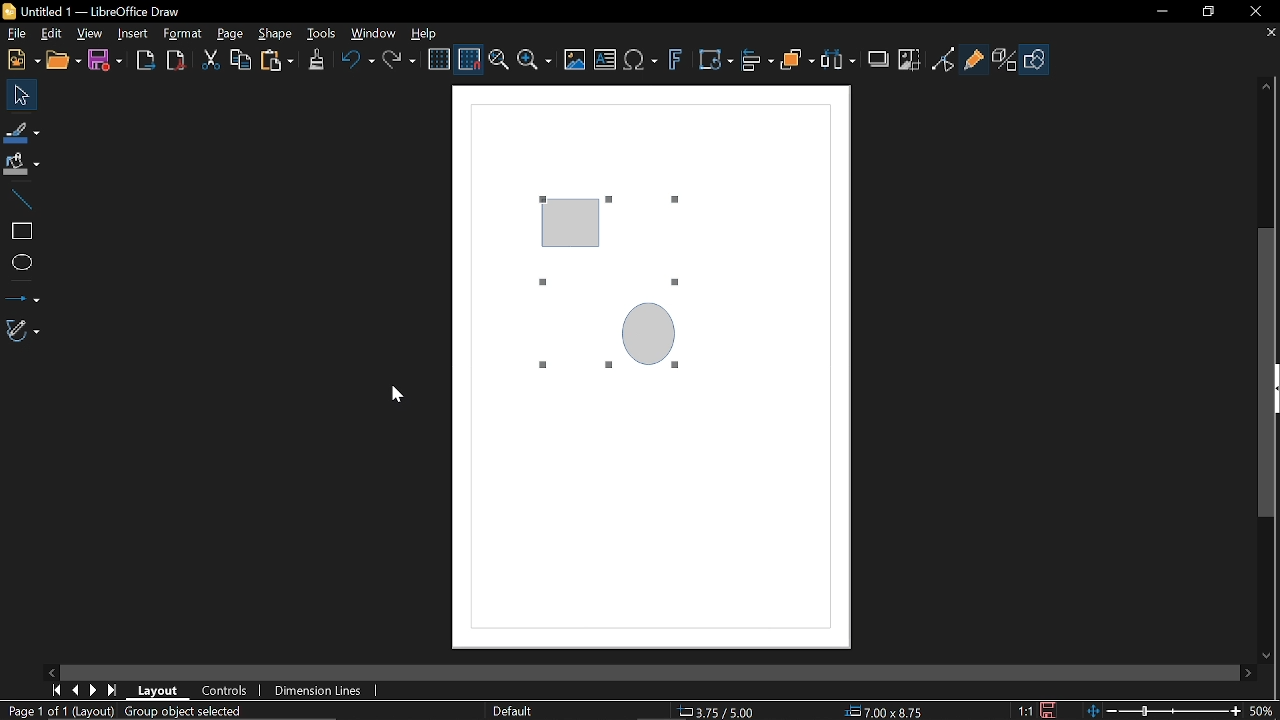 The image size is (1280, 720). I want to click on Location, so click(719, 712).